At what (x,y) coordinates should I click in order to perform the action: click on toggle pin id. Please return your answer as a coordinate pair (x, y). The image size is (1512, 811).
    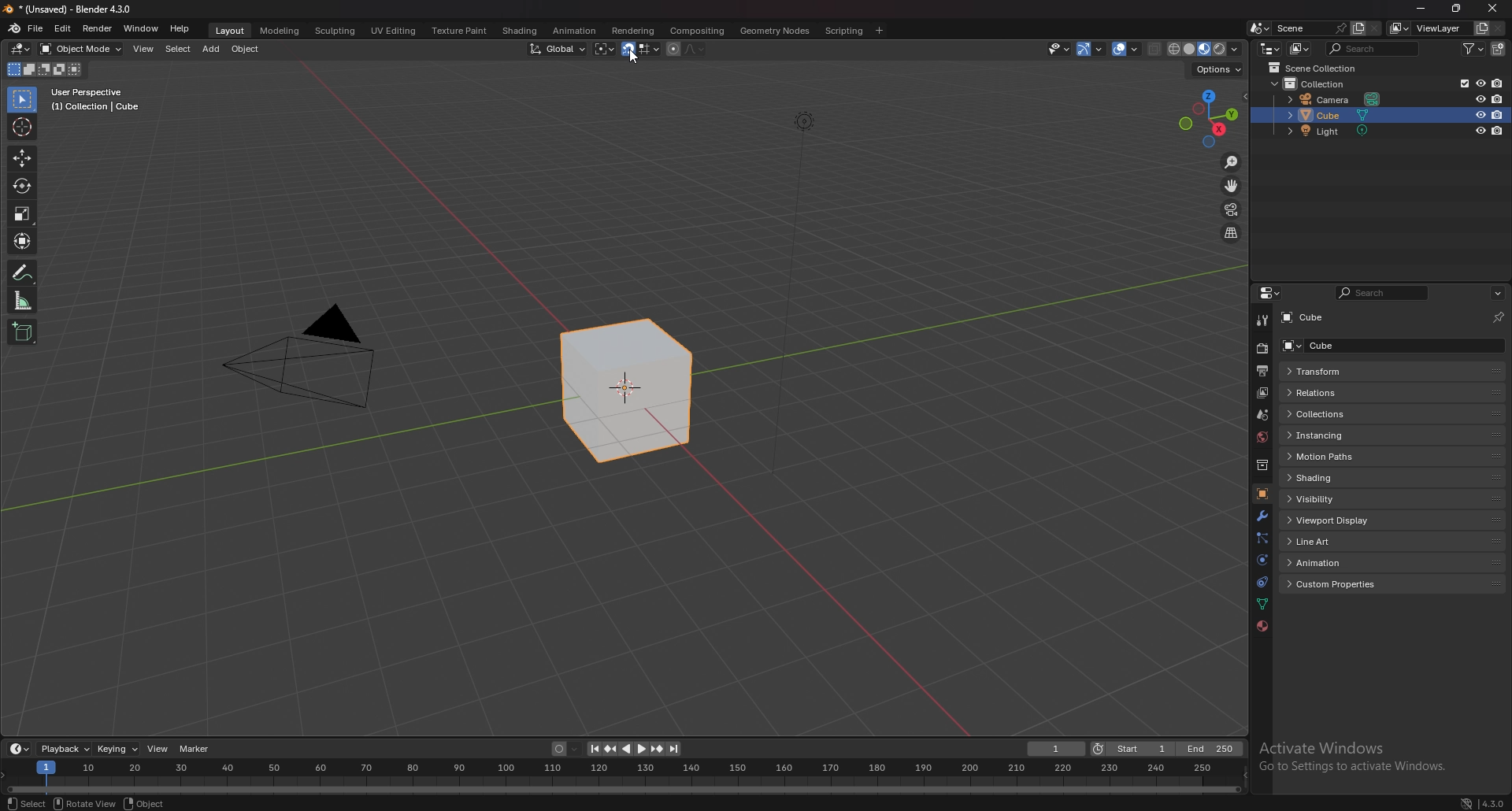
    Looking at the image, I should click on (1499, 315).